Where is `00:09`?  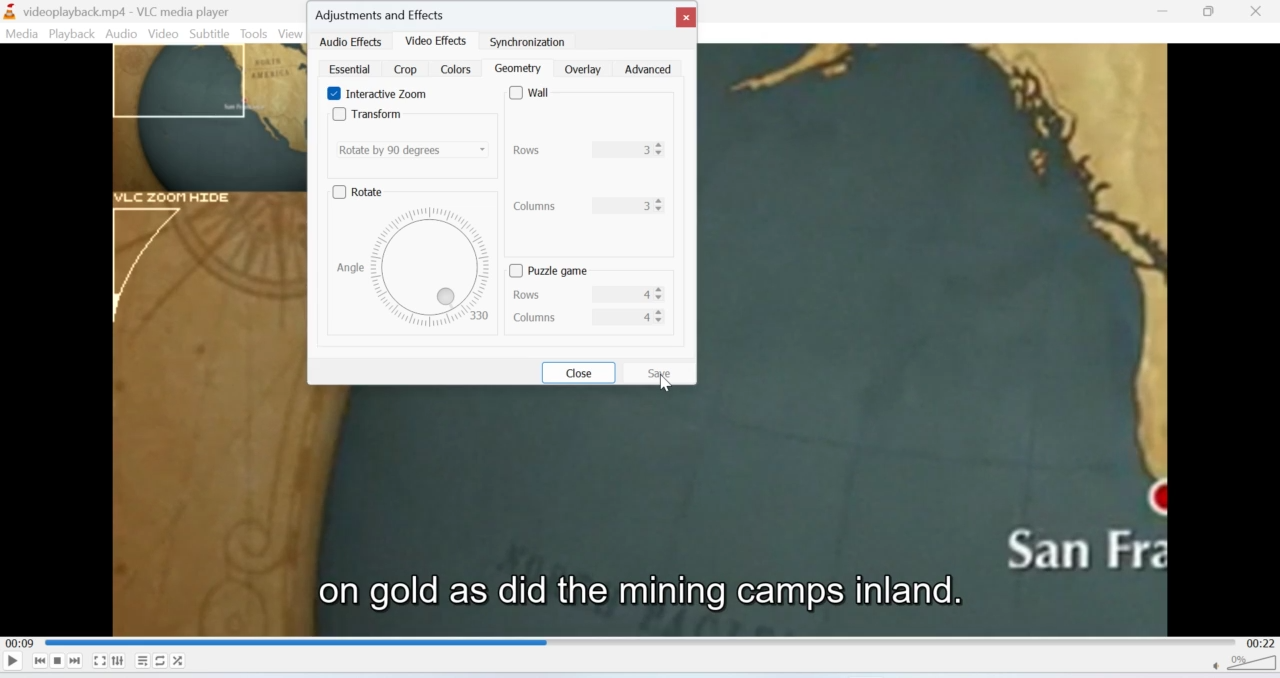 00:09 is located at coordinates (18, 644).